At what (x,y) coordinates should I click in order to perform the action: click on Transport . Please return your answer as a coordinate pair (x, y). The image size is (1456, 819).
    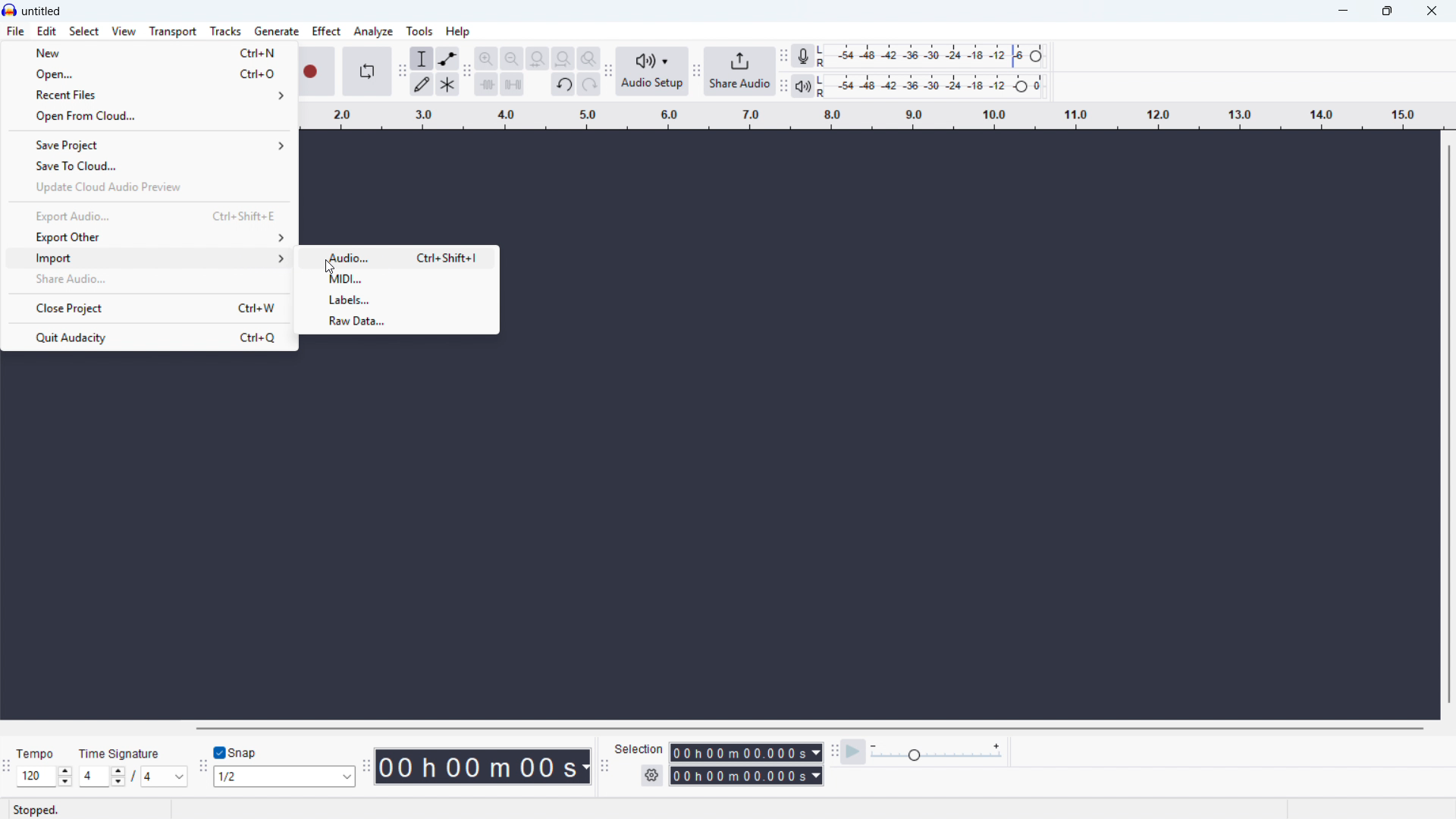
    Looking at the image, I should click on (172, 32).